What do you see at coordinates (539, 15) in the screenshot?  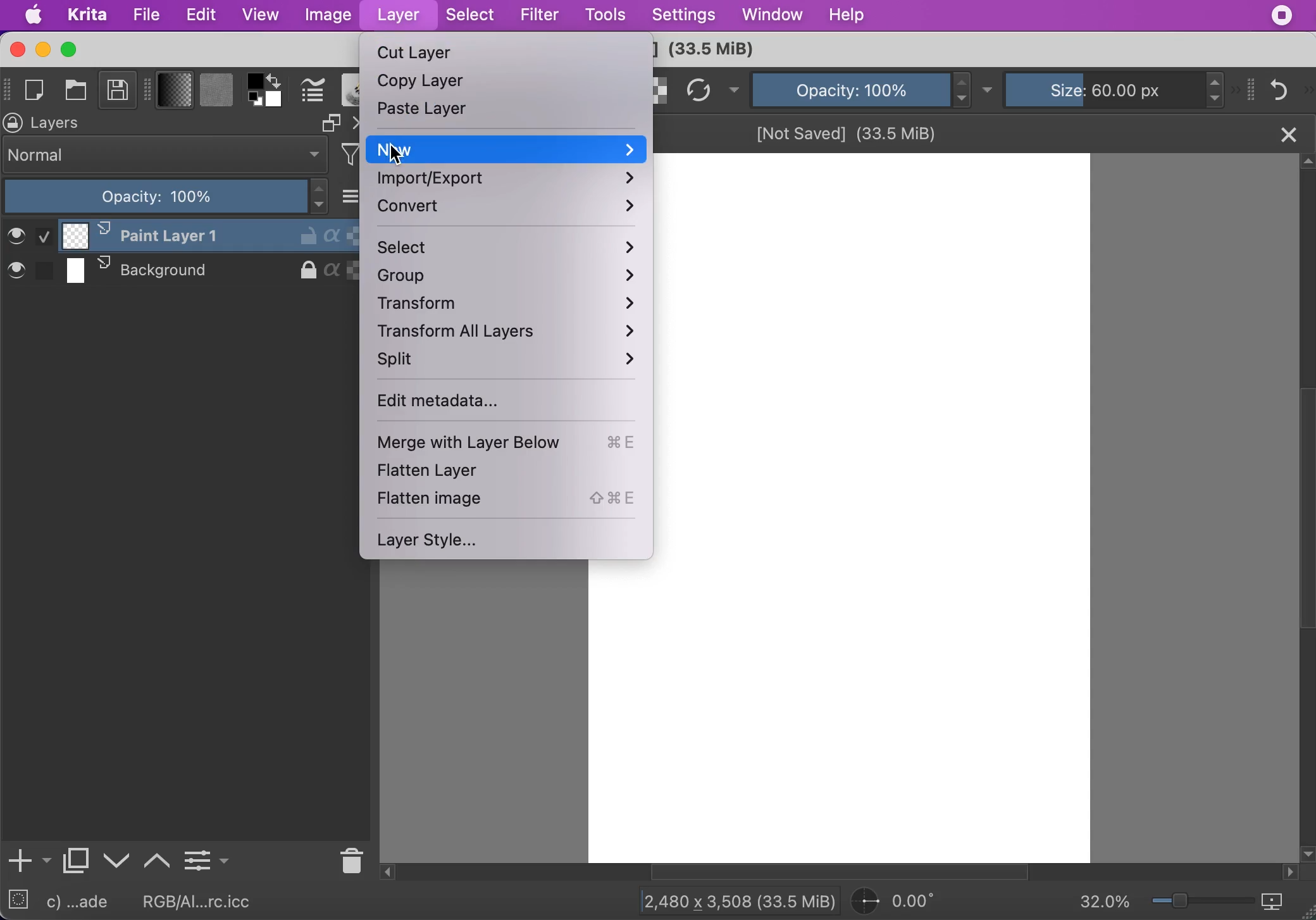 I see `filter` at bounding box center [539, 15].